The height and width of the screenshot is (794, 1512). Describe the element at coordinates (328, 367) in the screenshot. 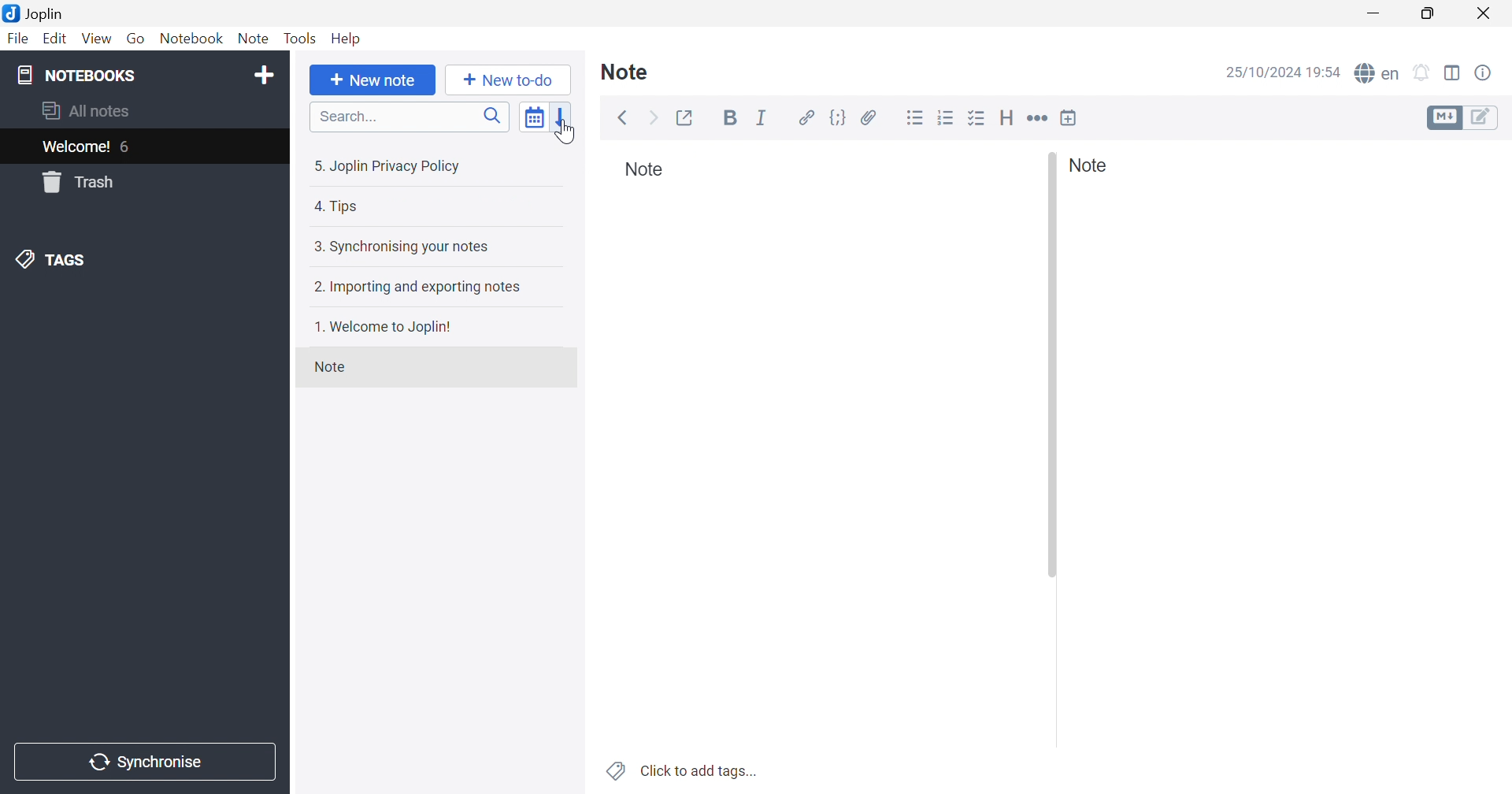

I see `note` at that location.